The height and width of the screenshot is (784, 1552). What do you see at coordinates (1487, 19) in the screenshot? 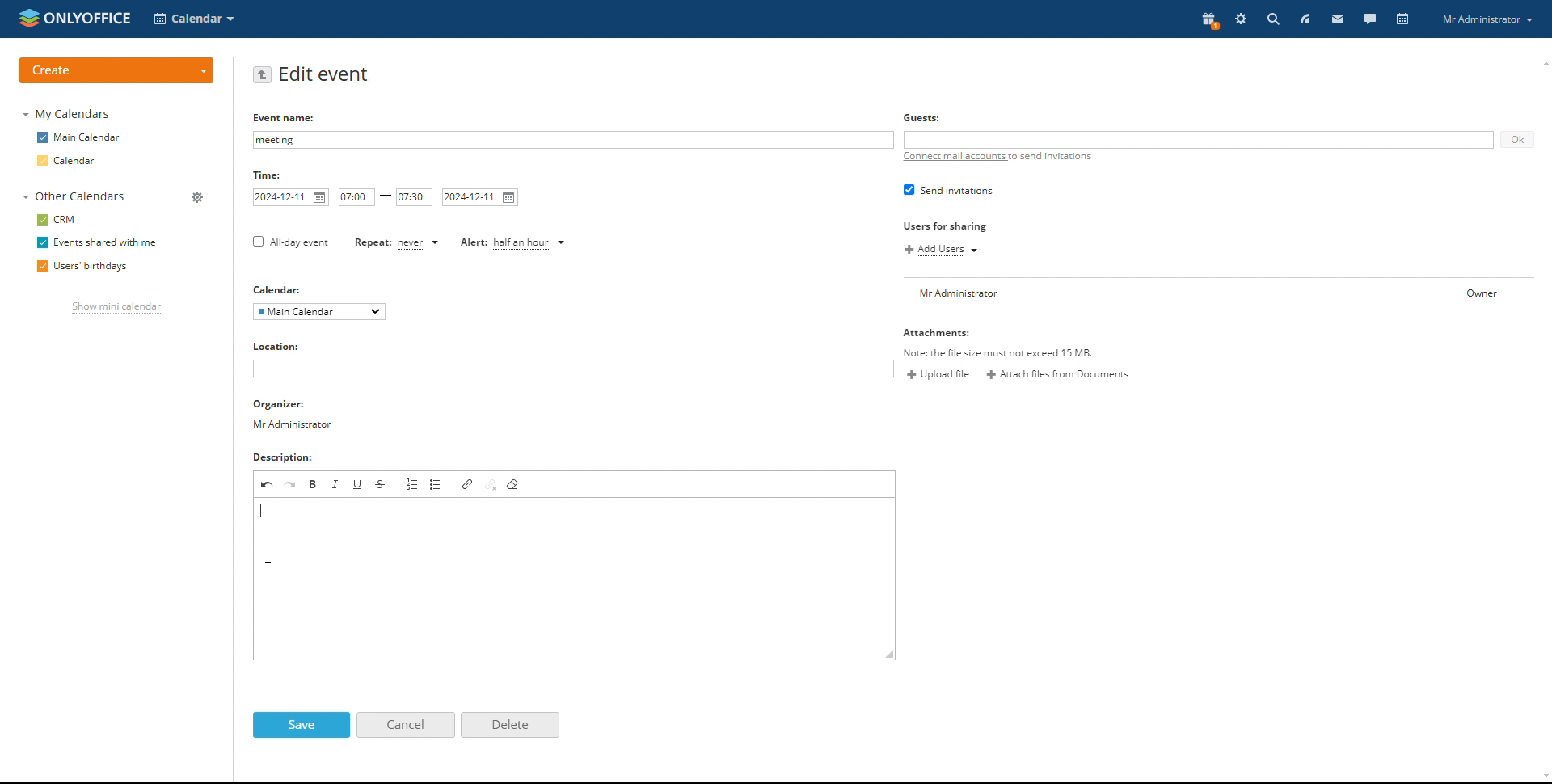
I see `profile` at bounding box center [1487, 19].